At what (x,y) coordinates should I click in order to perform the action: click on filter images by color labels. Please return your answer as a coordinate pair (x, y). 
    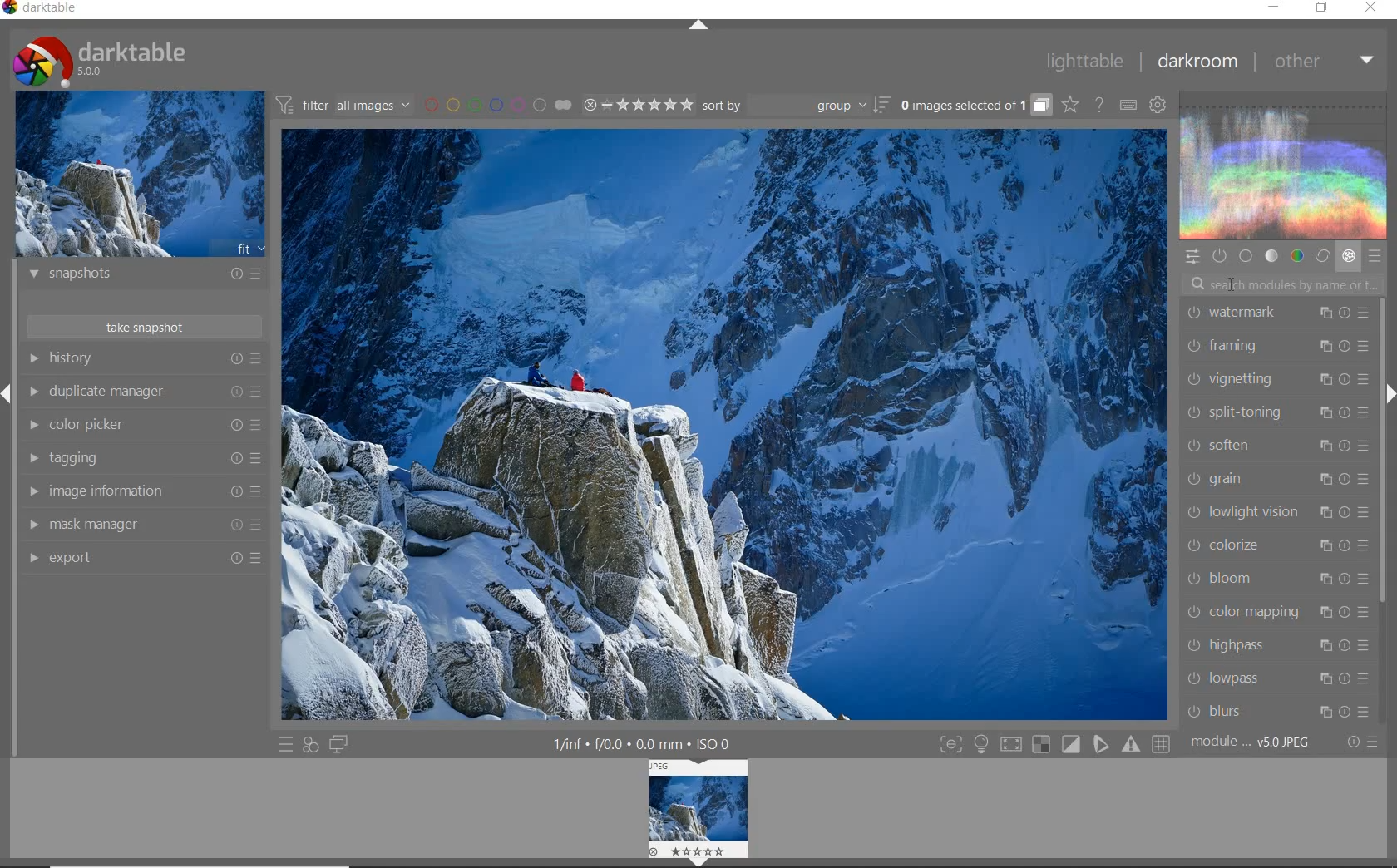
    Looking at the image, I should click on (498, 104).